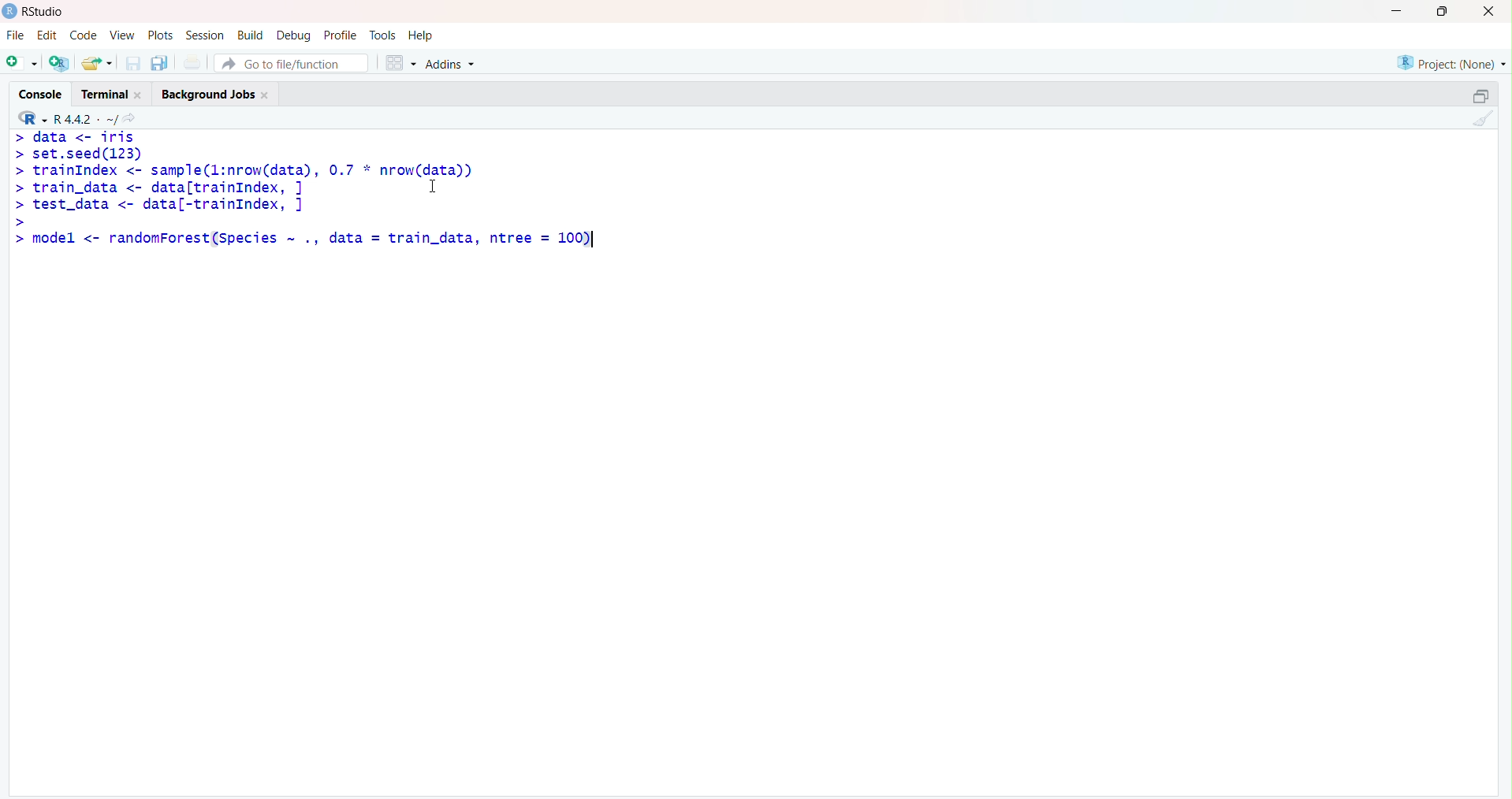  What do you see at coordinates (37, 11) in the screenshot?
I see `RStudio` at bounding box center [37, 11].